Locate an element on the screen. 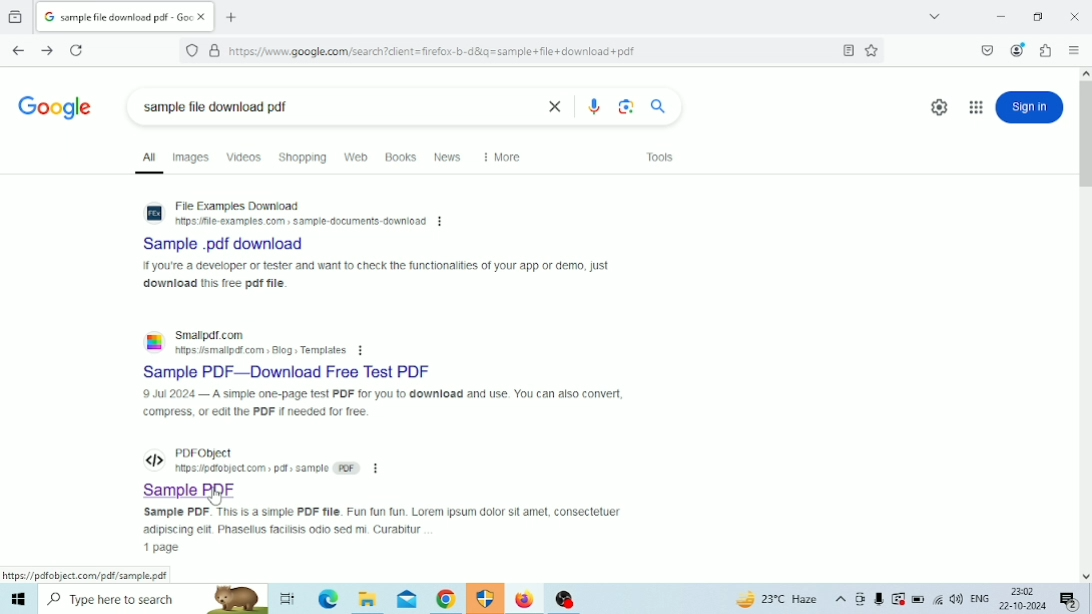 The height and width of the screenshot is (614, 1092). Cursor is located at coordinates (215, 496).